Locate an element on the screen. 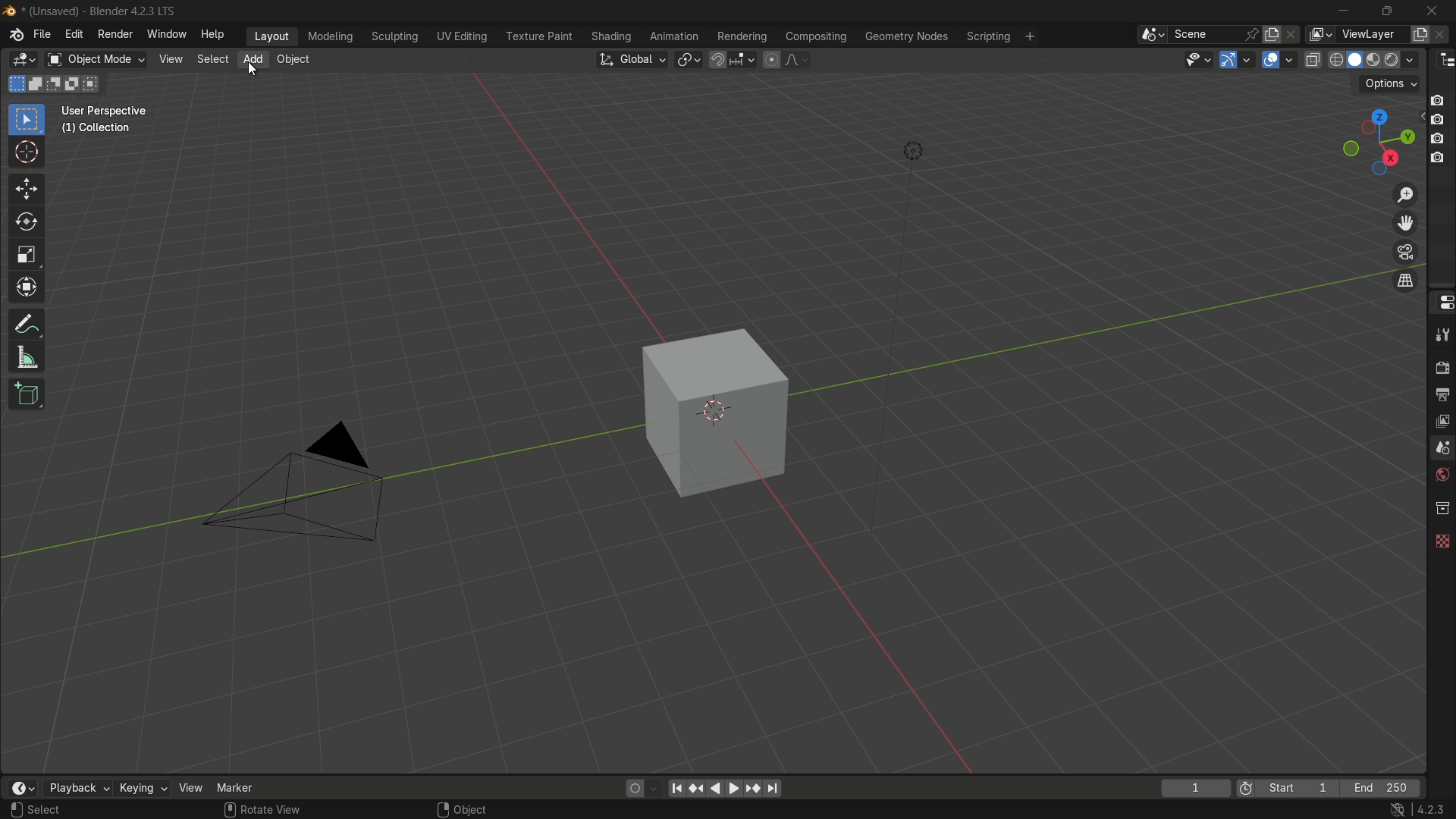 Image resolution: width=1456 pixels, height=819 pixels. 4.2.3 lts is located at coordinates (1419, 810).